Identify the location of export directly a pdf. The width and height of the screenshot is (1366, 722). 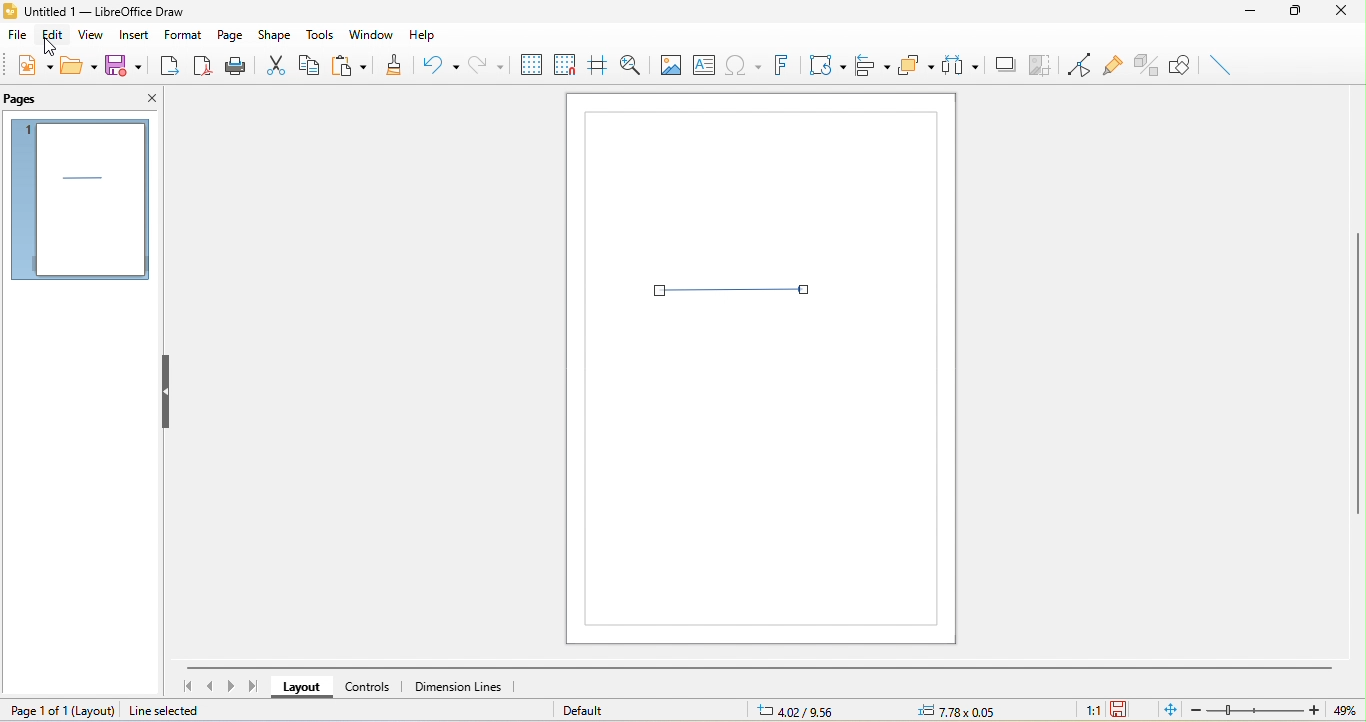
(203, 68).